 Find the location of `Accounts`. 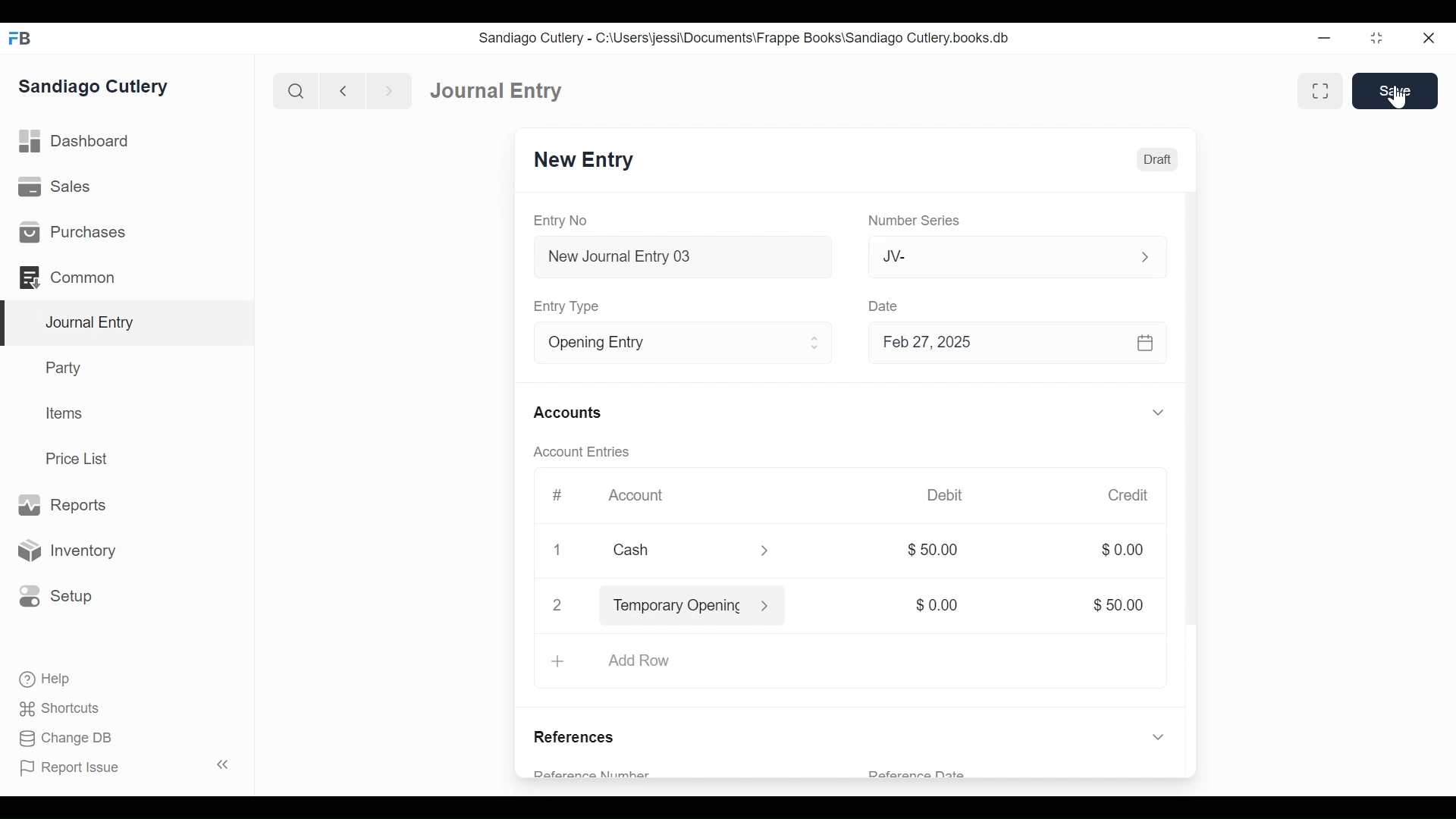

Accounts is located at coordinates (567, 413).